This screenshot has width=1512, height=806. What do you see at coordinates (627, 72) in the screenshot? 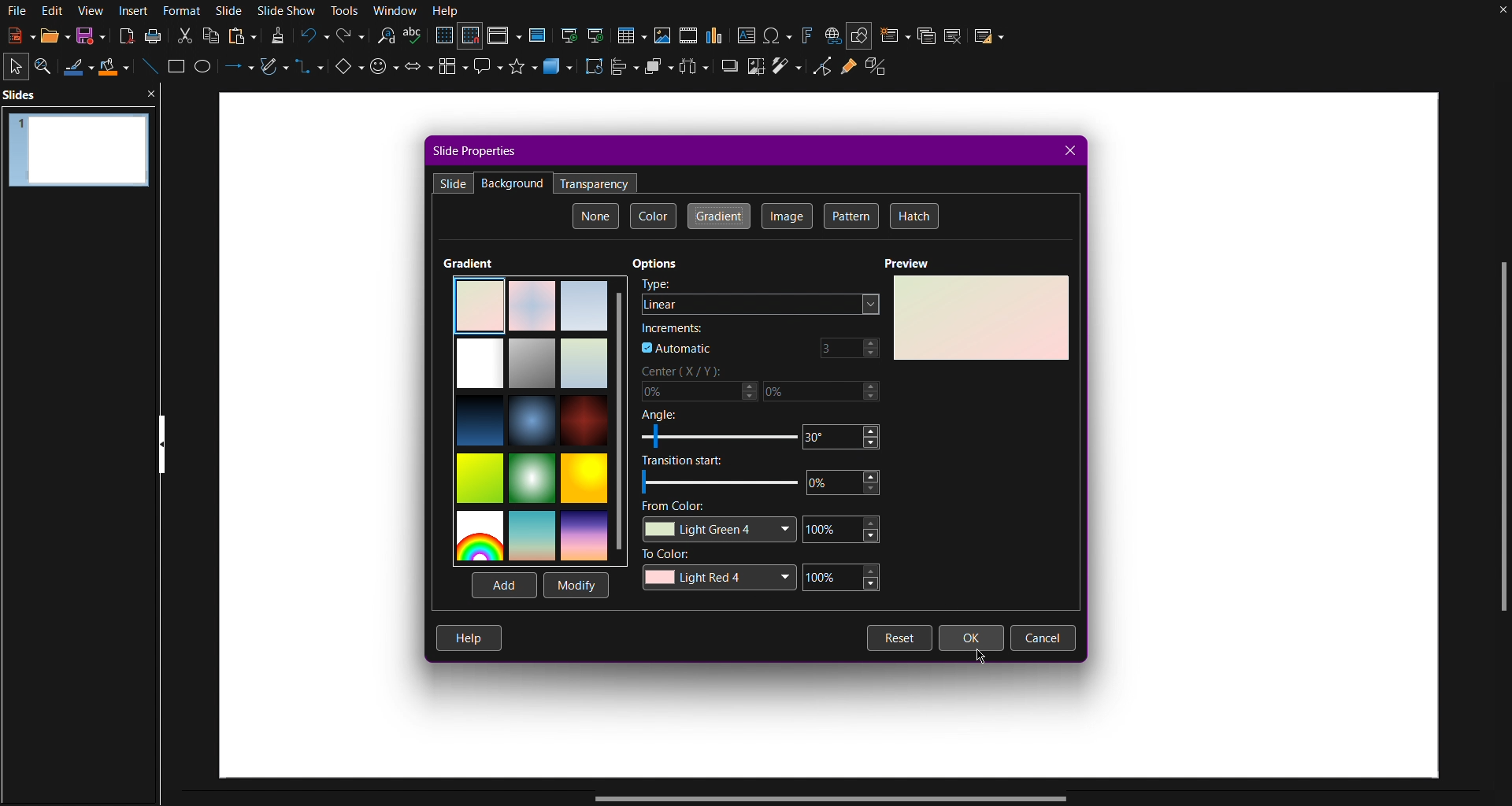
I see `Align Objects` at bounding box center [627, 72].